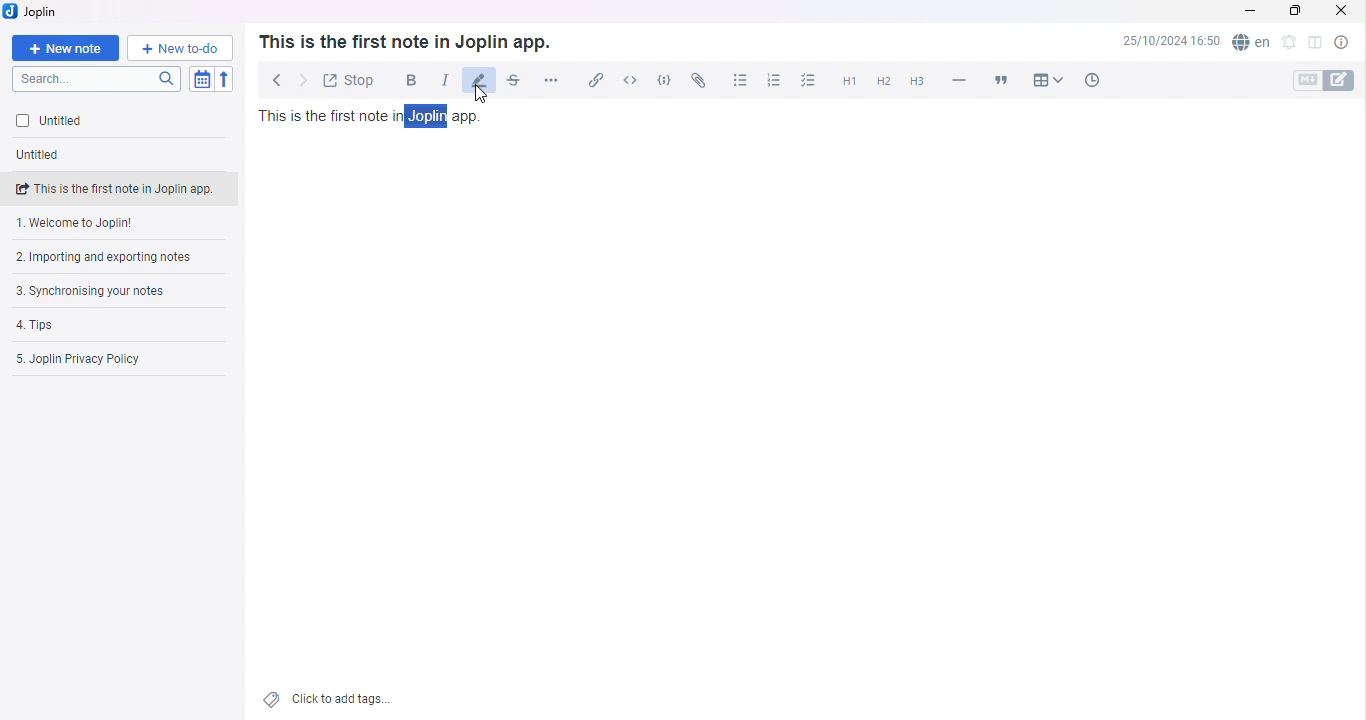 The image size is (1366, 720). Describe the element at coordinates (272, 76) in the screenshot. I see `Back` at that location.